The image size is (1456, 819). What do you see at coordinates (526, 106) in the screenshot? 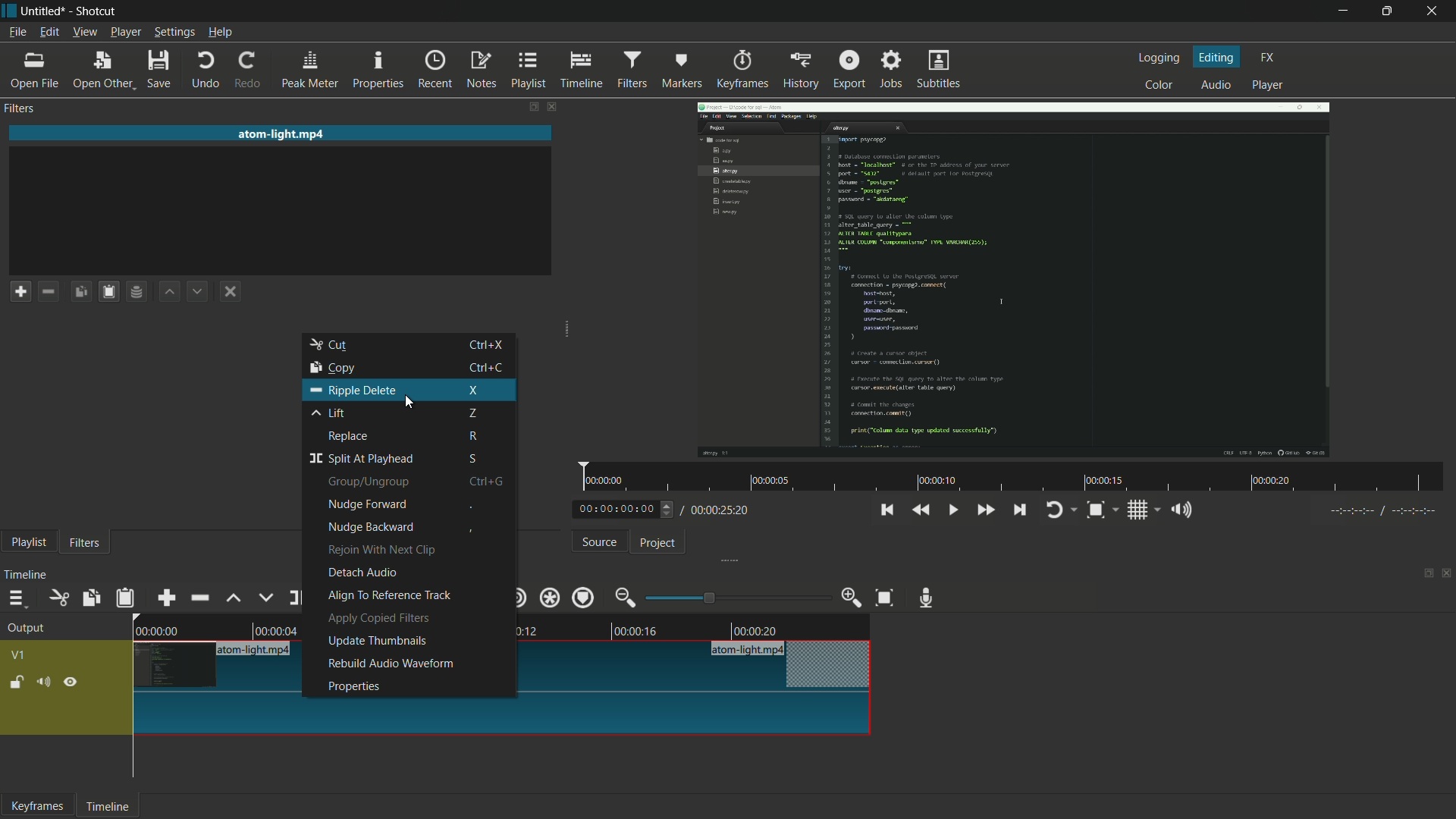
I see `change layout` at bounding box center [526, 106].